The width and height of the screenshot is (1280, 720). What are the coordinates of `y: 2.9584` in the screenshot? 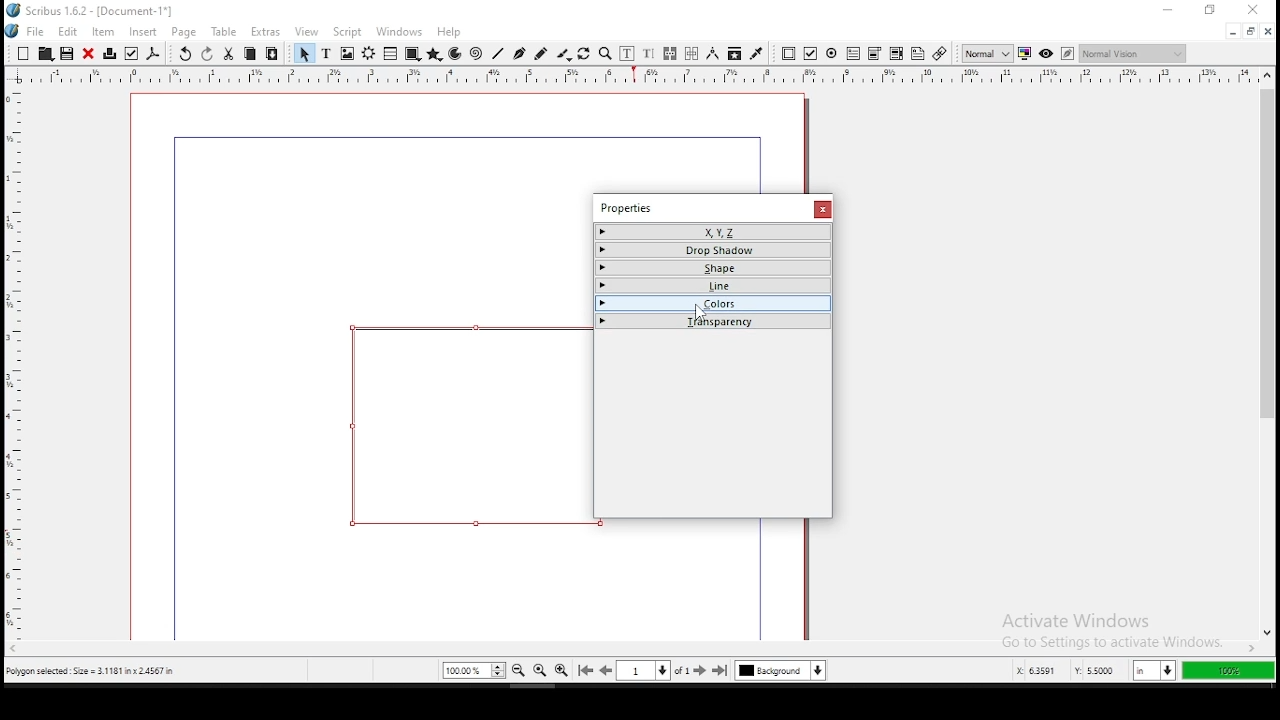 It's located at (1094, 671).